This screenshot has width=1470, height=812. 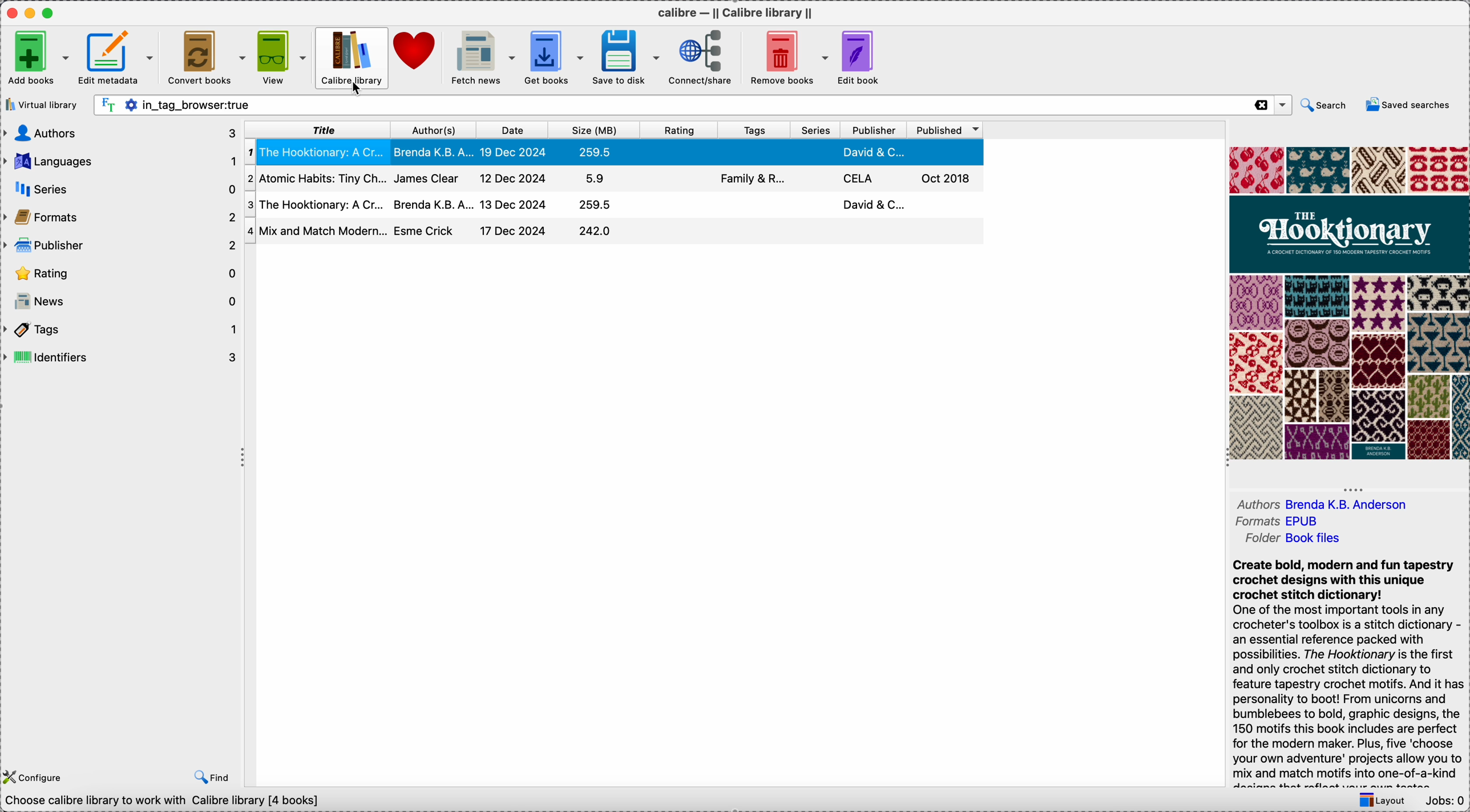 I want to click on title, so click(x=316, y=130).